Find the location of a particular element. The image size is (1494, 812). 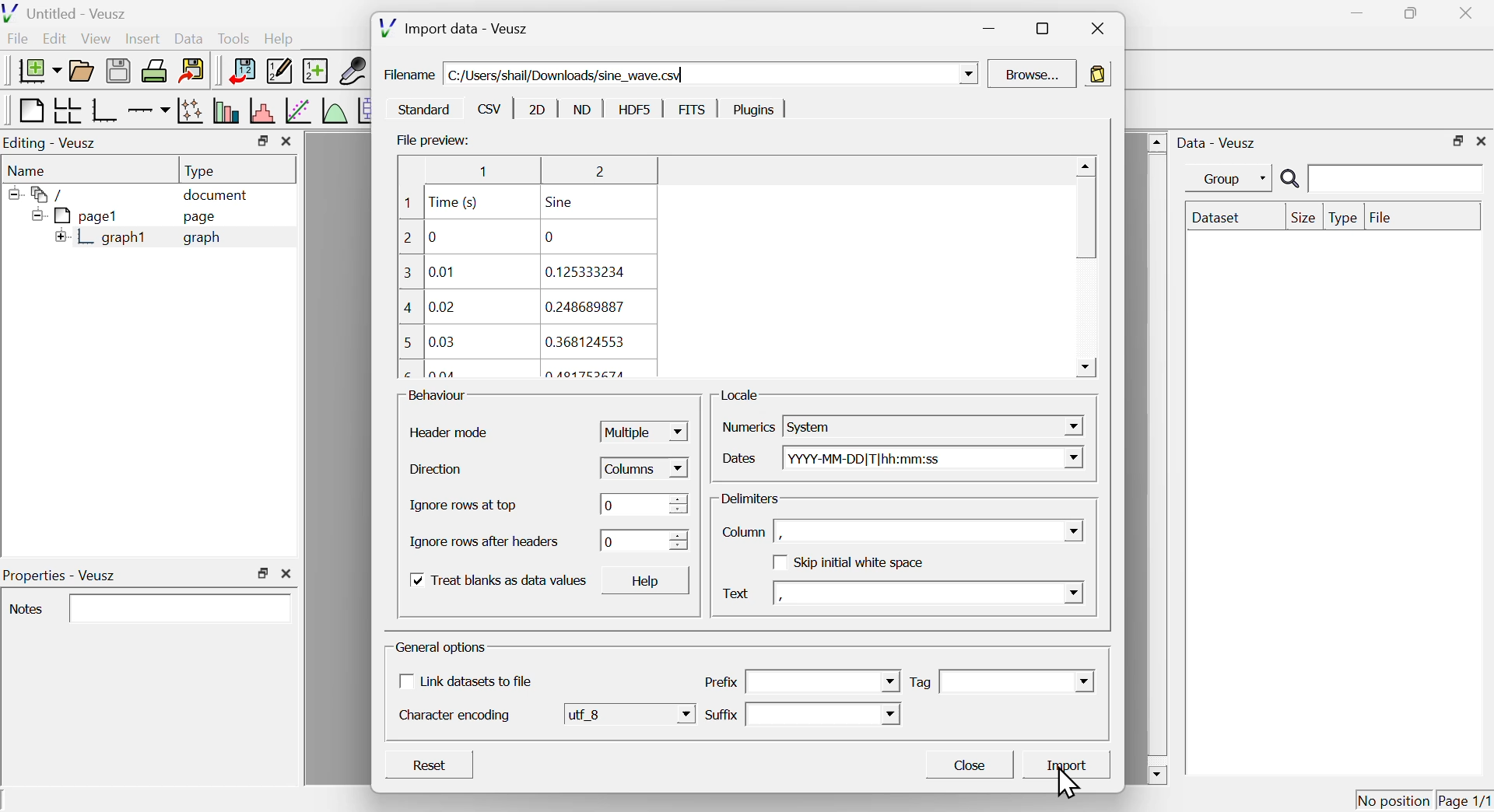

arrange graphs in a grid is located at coordinates (67, 111).